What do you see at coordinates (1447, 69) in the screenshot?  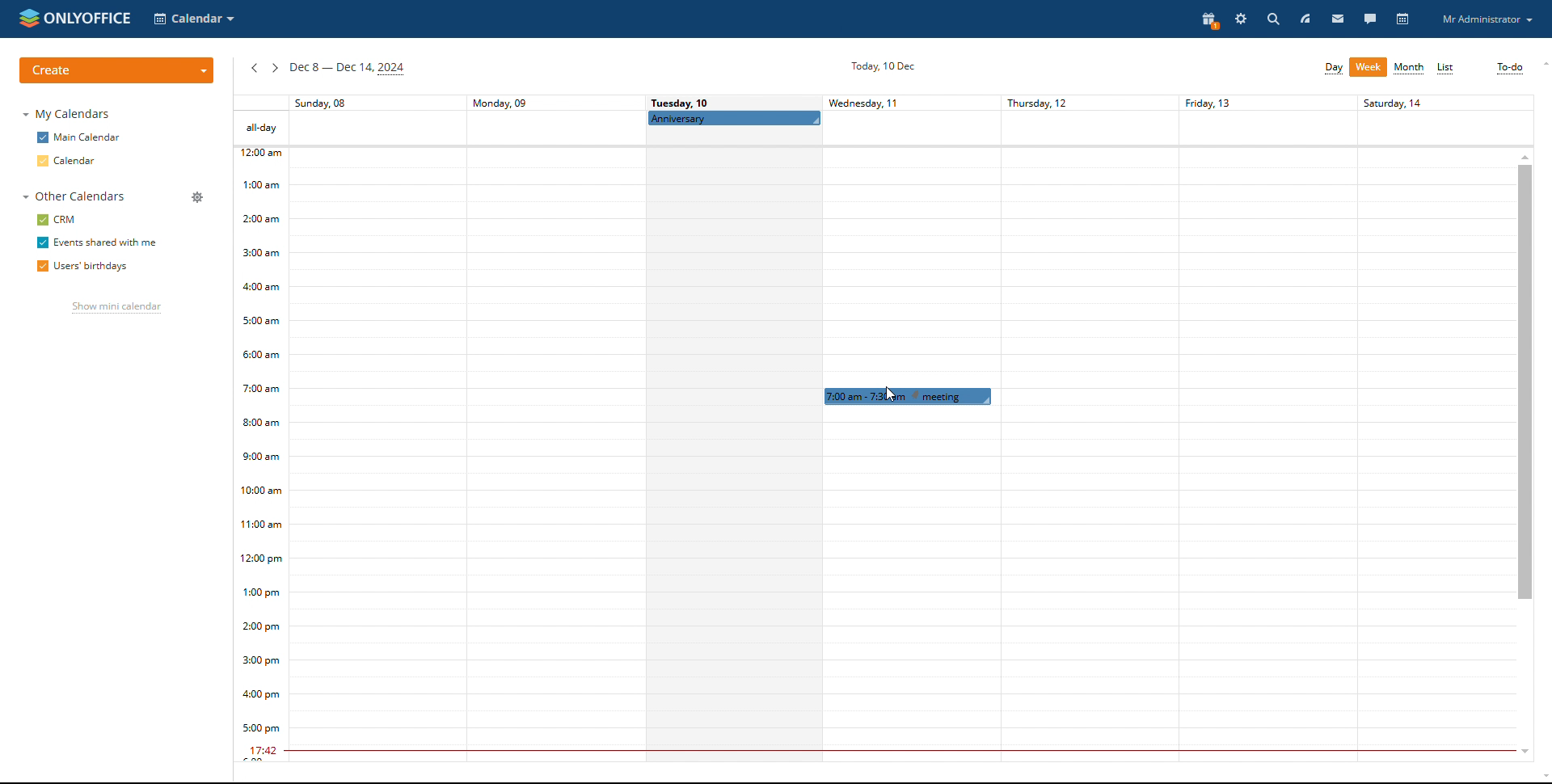 I see `list view` at bounding box center [1447, 69].